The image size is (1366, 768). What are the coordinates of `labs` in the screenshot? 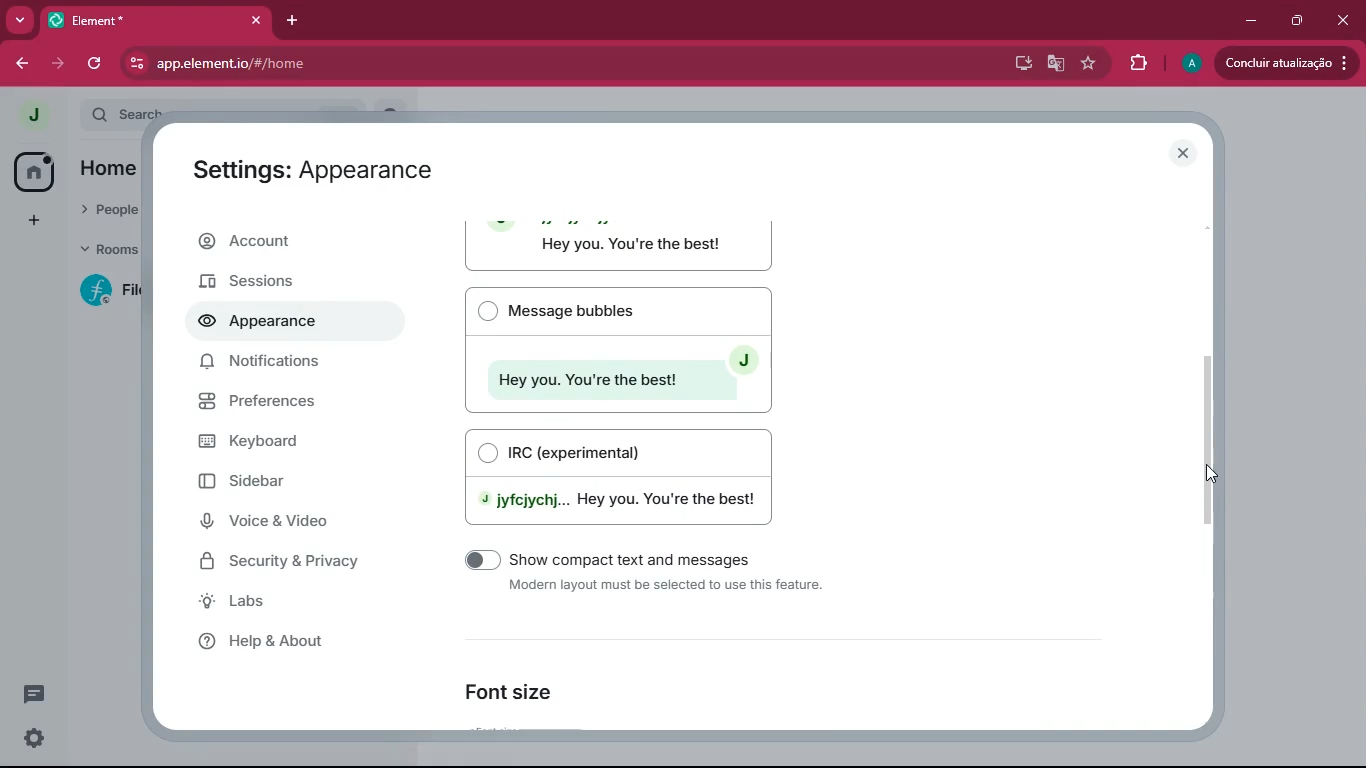 It's located at (282, 602).